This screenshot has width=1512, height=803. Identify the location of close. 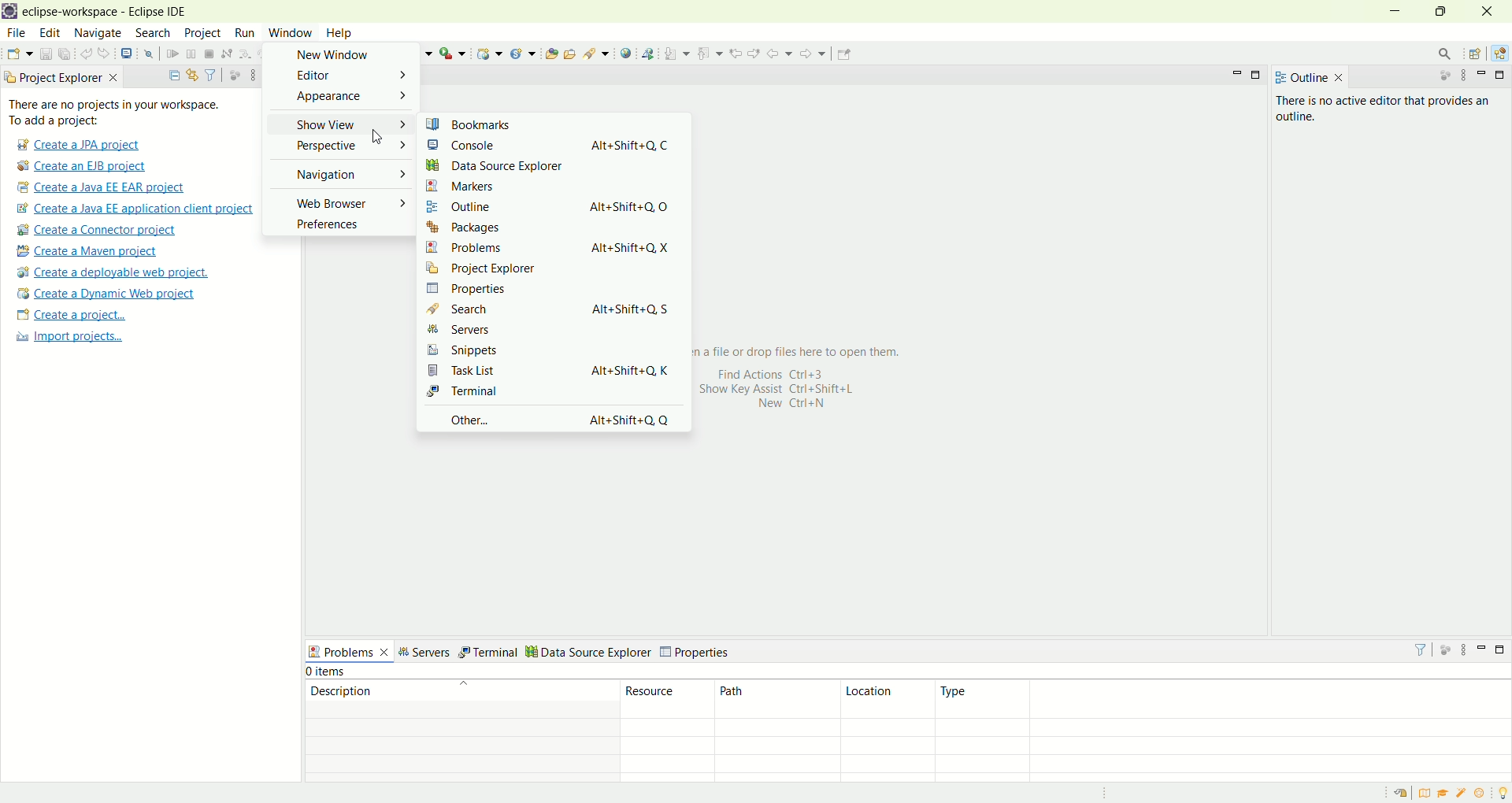
(1492, 12).